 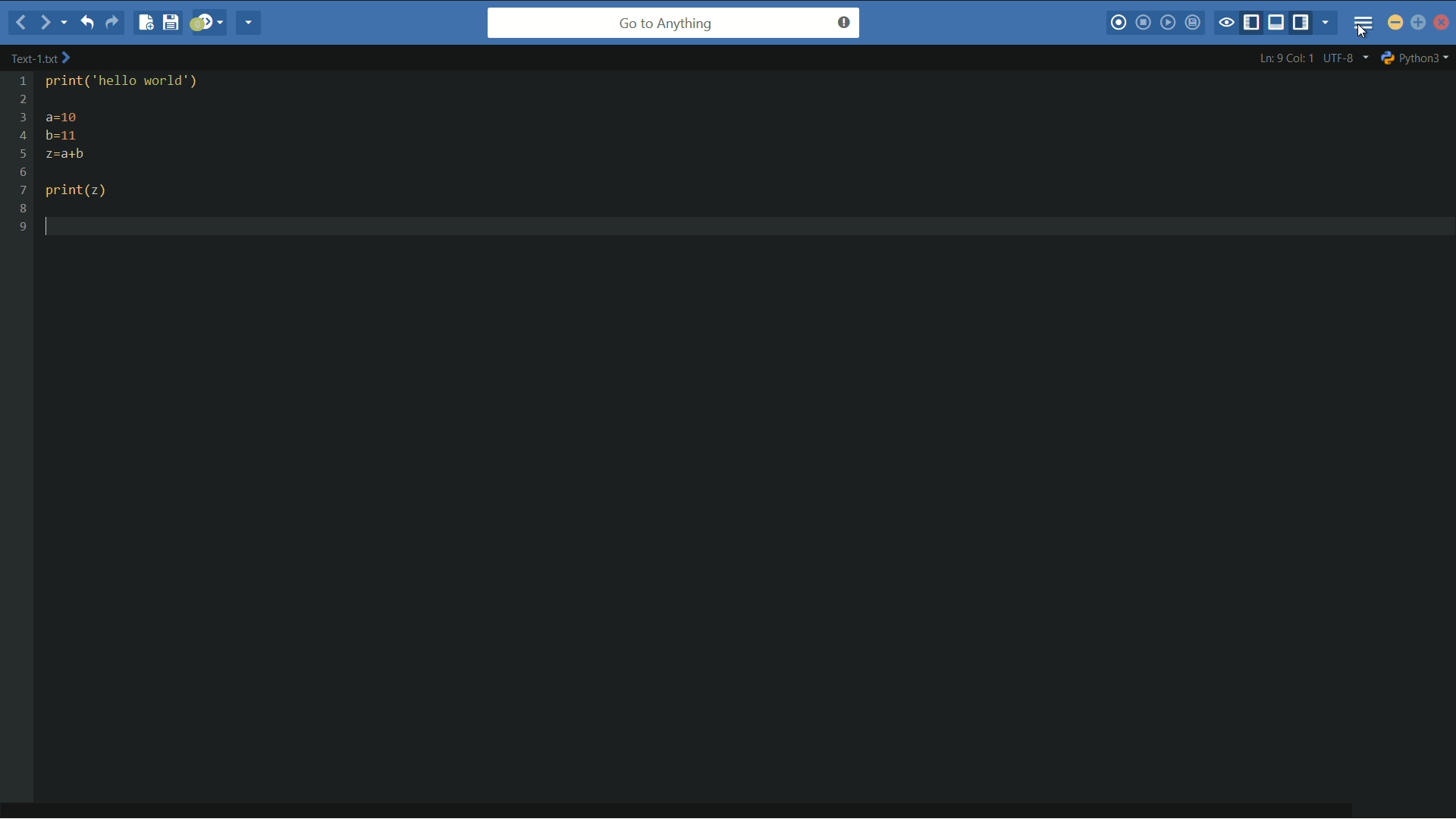 What do you see at coordinates (56, 226) in the screenshot?
I see `text cursor` at bounding box center [56, 226].